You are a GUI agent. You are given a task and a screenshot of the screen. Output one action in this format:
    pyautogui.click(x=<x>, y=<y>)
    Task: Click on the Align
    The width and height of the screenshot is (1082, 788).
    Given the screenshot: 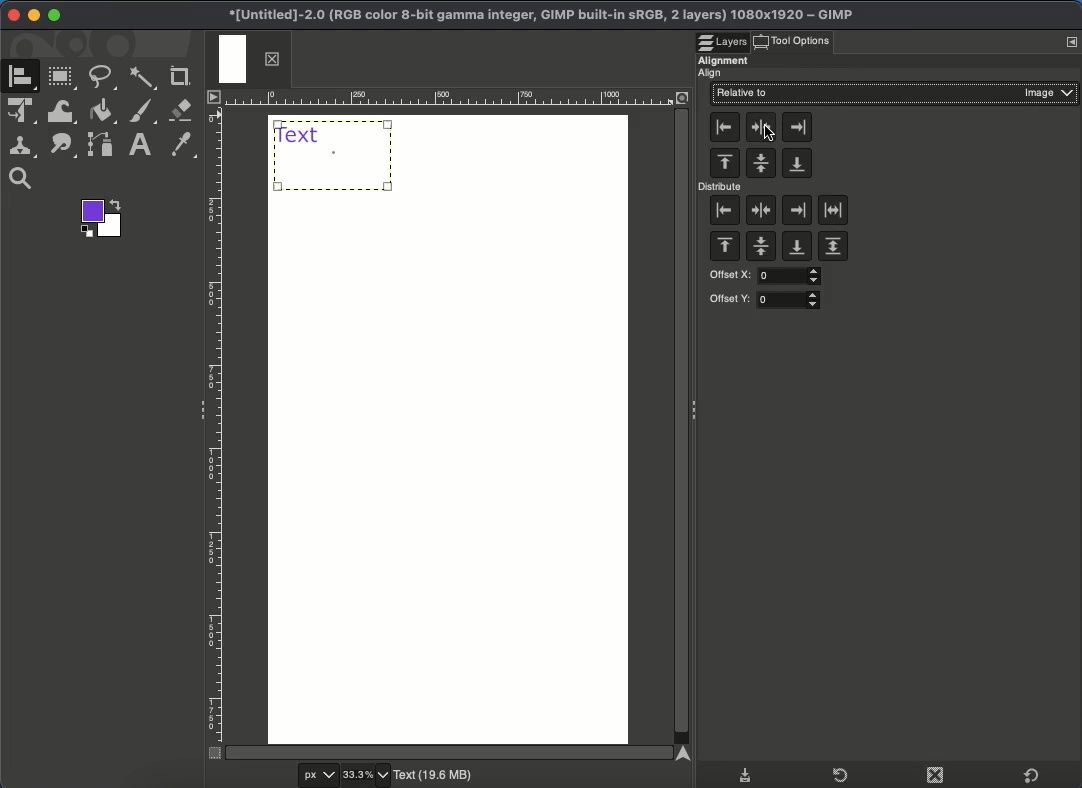 What is the action you would take?
    pyautogui.click(x=719, y=73)
    